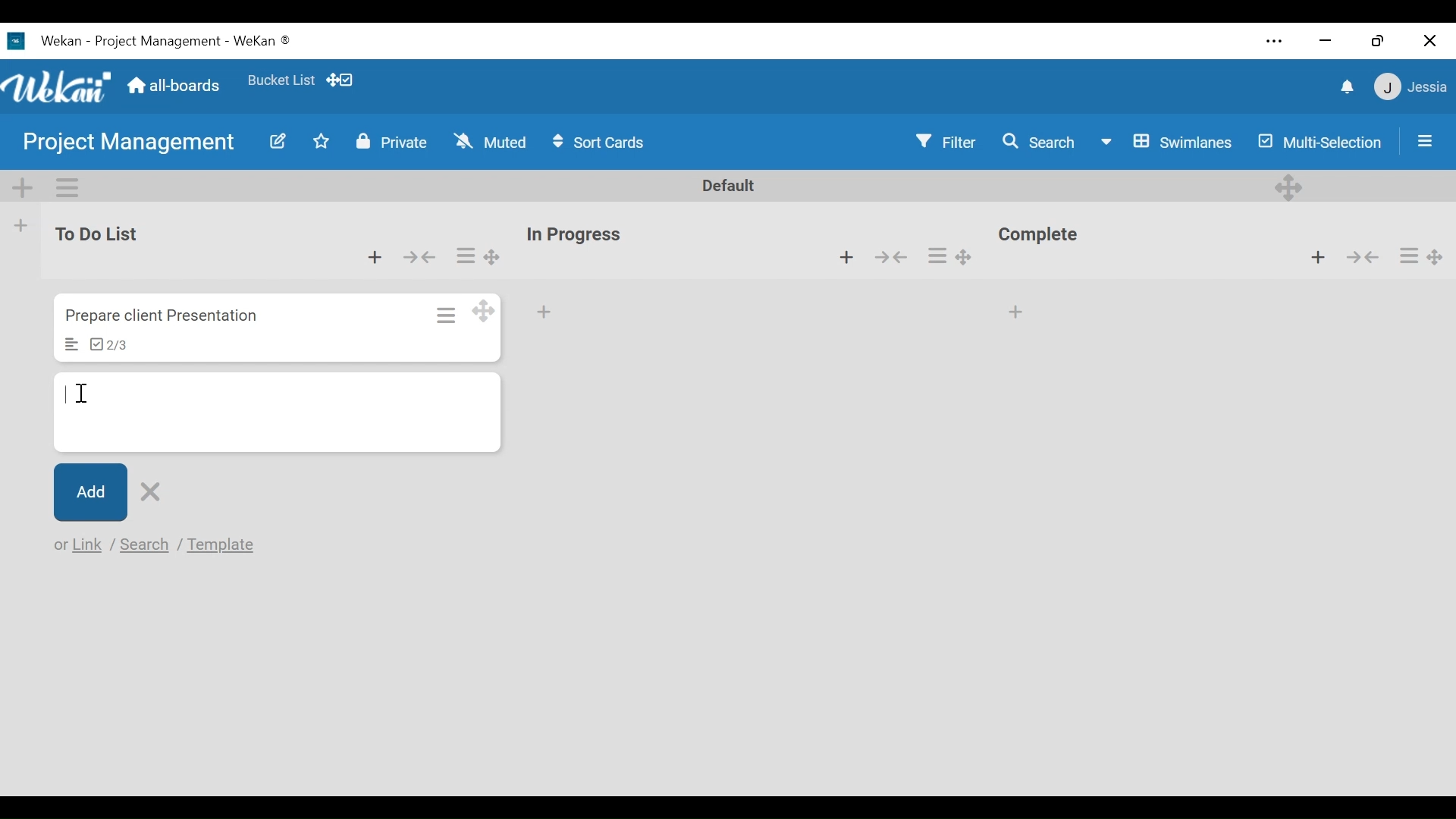  Describe the element at coordinates (1408, 89) in the screenshot. I see `Jessica` at that location.